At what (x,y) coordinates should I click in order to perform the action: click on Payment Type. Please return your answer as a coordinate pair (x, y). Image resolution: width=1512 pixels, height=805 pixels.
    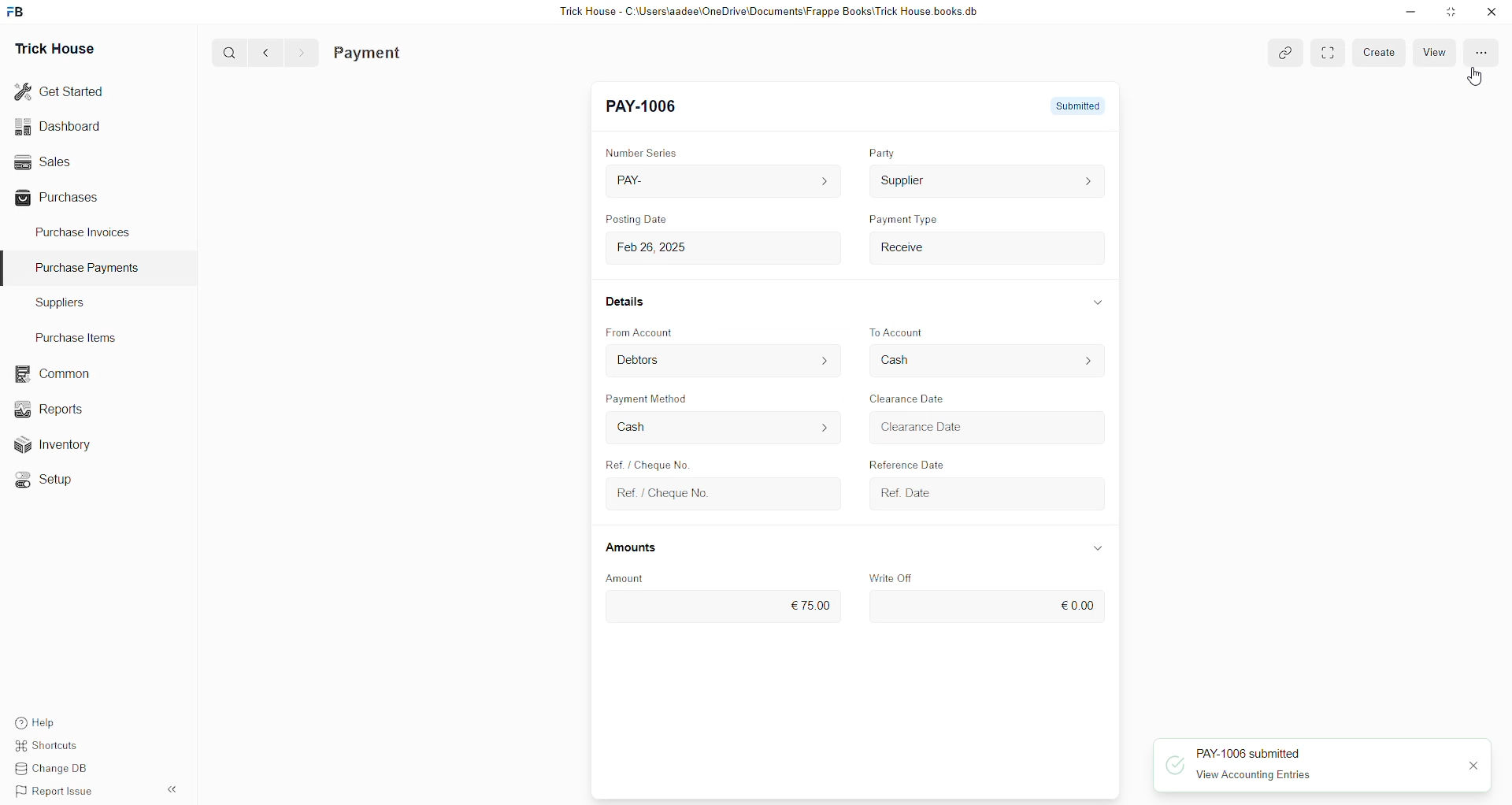
    Looking at the image, I should click on (900, 217).